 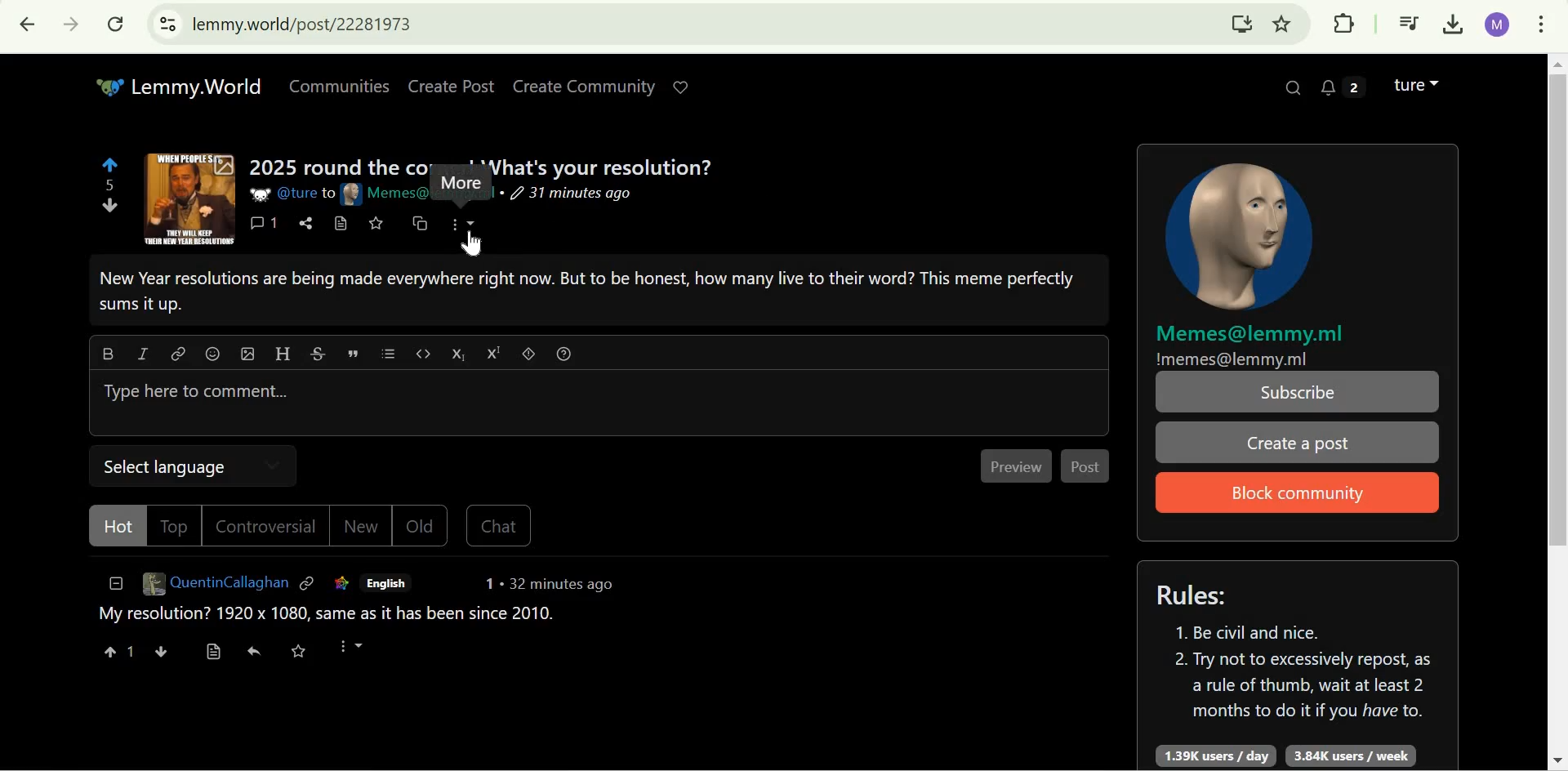 What do you see at coordinates (418, 222) in the screenshot?
I see `cross-post` at bounding box center [418, 222].